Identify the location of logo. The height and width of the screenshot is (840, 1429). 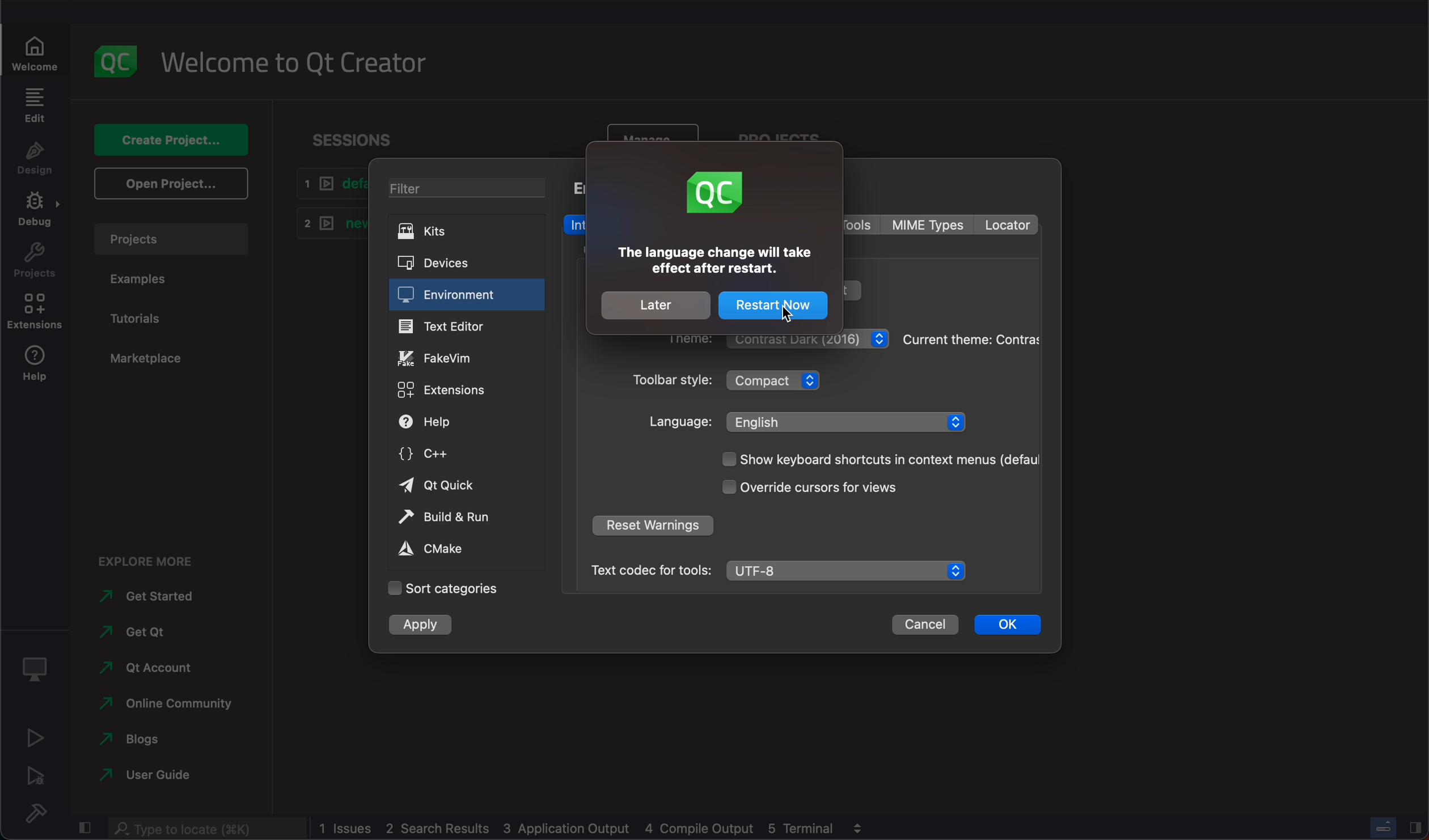
(717, 194).